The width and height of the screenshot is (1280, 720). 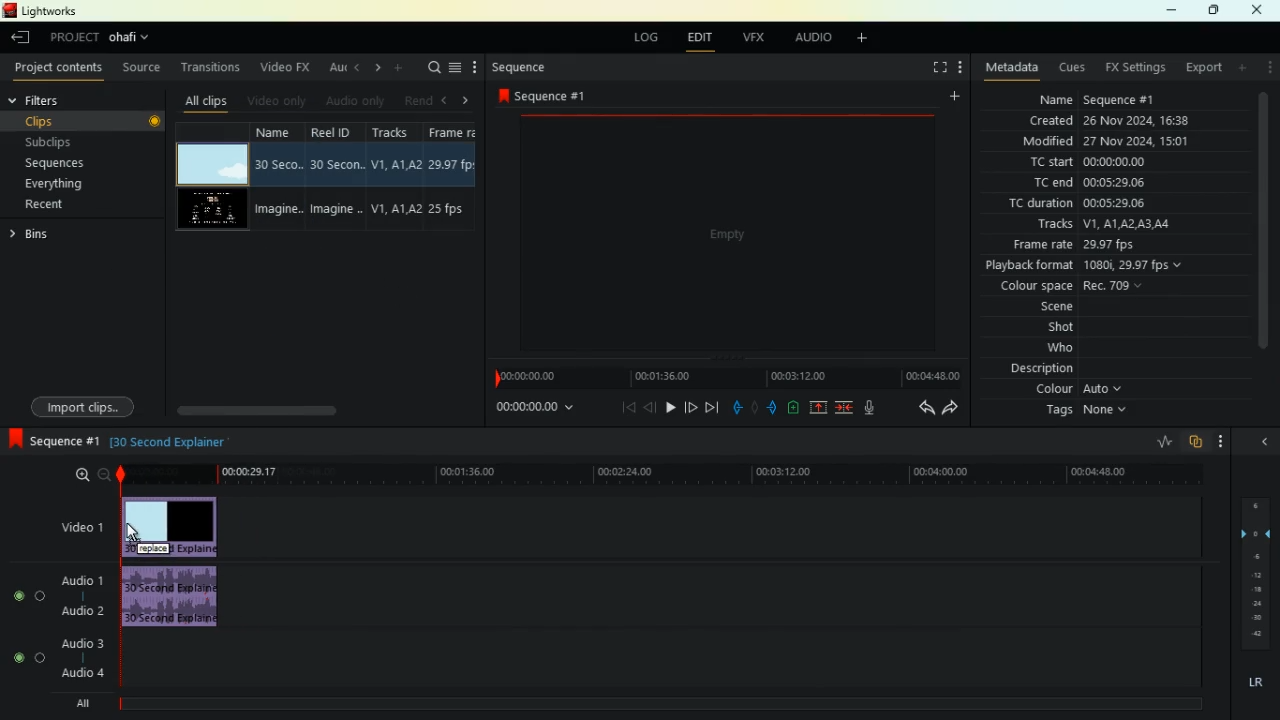 I want to click on tc start 00:00:00:00, so click(x=1113, y=163).